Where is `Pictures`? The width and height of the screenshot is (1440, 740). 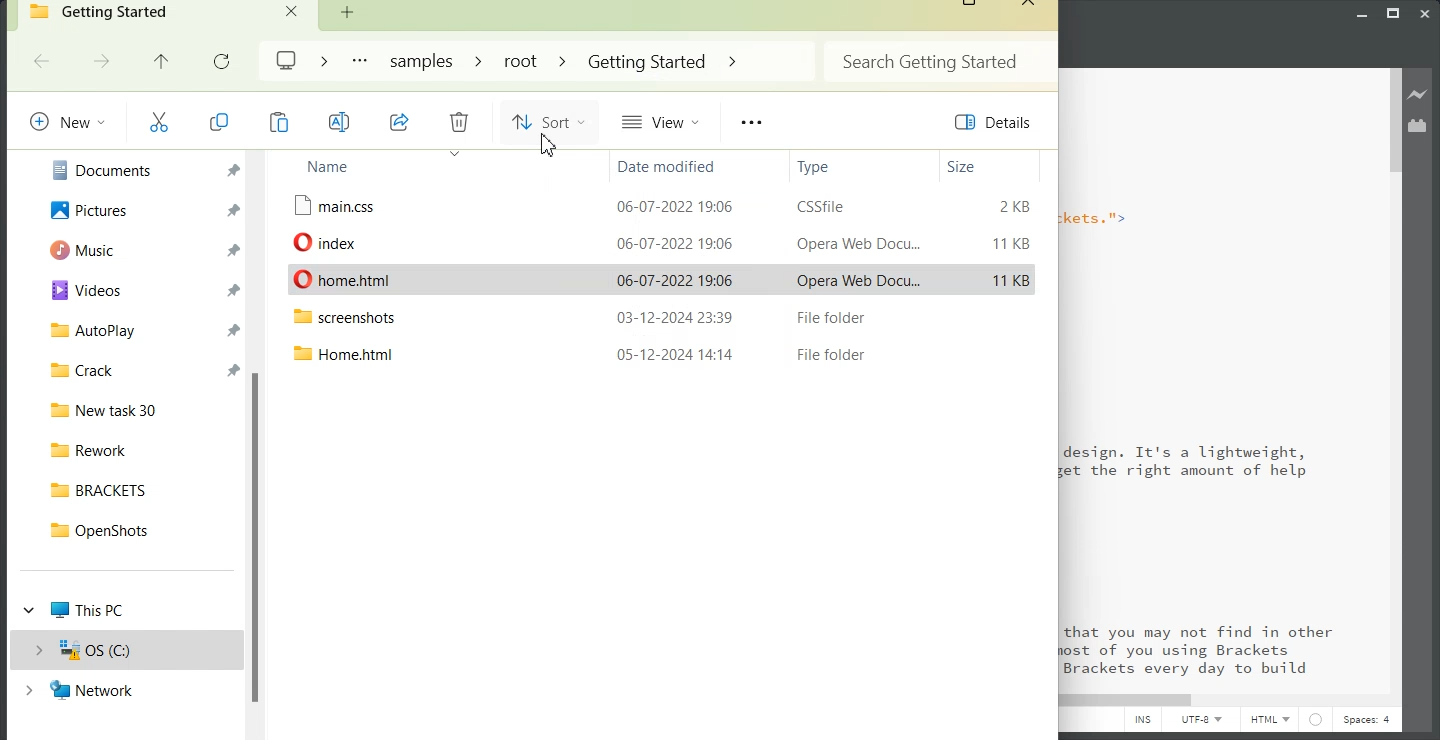 Pictures is located at coordinates (138, 208).